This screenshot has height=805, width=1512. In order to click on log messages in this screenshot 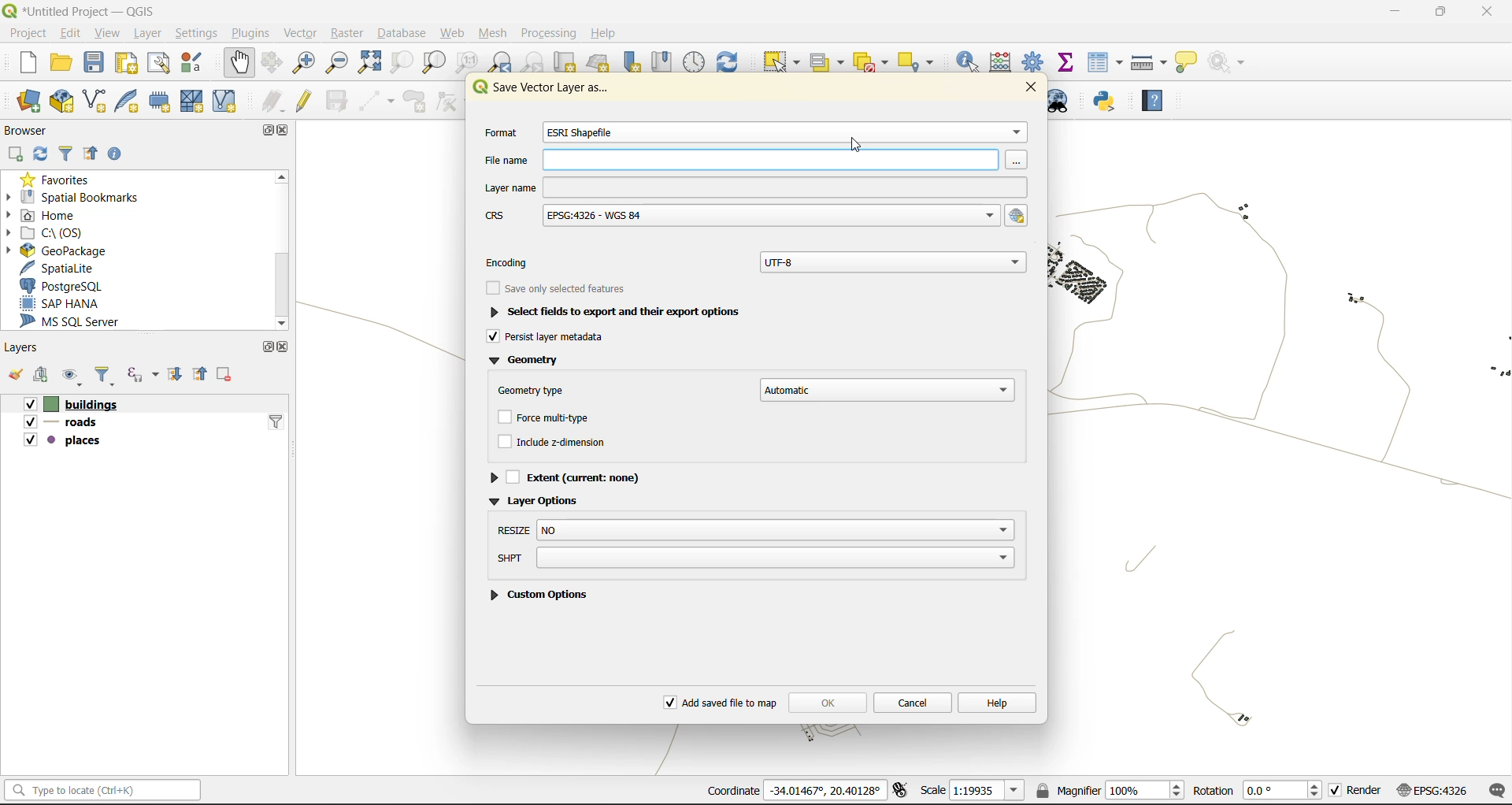, I will do `click(1494, 789)`.